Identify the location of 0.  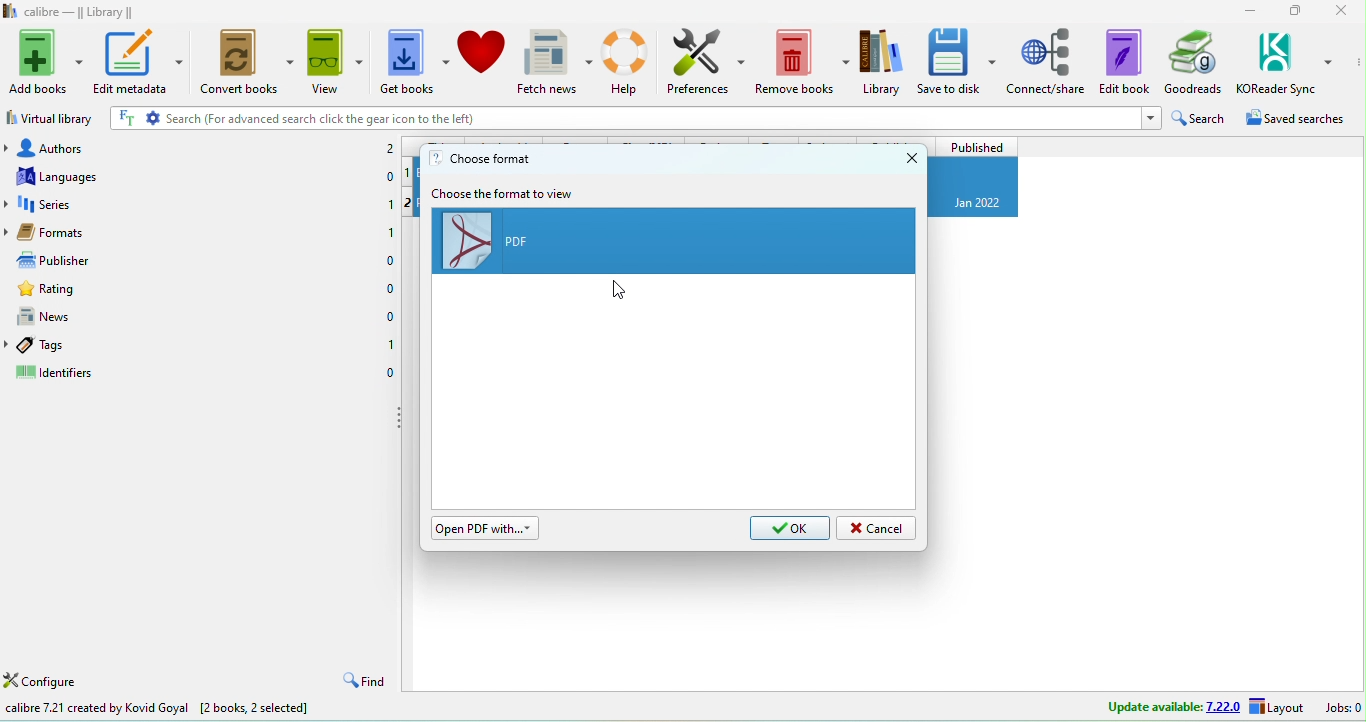
(390, 261).